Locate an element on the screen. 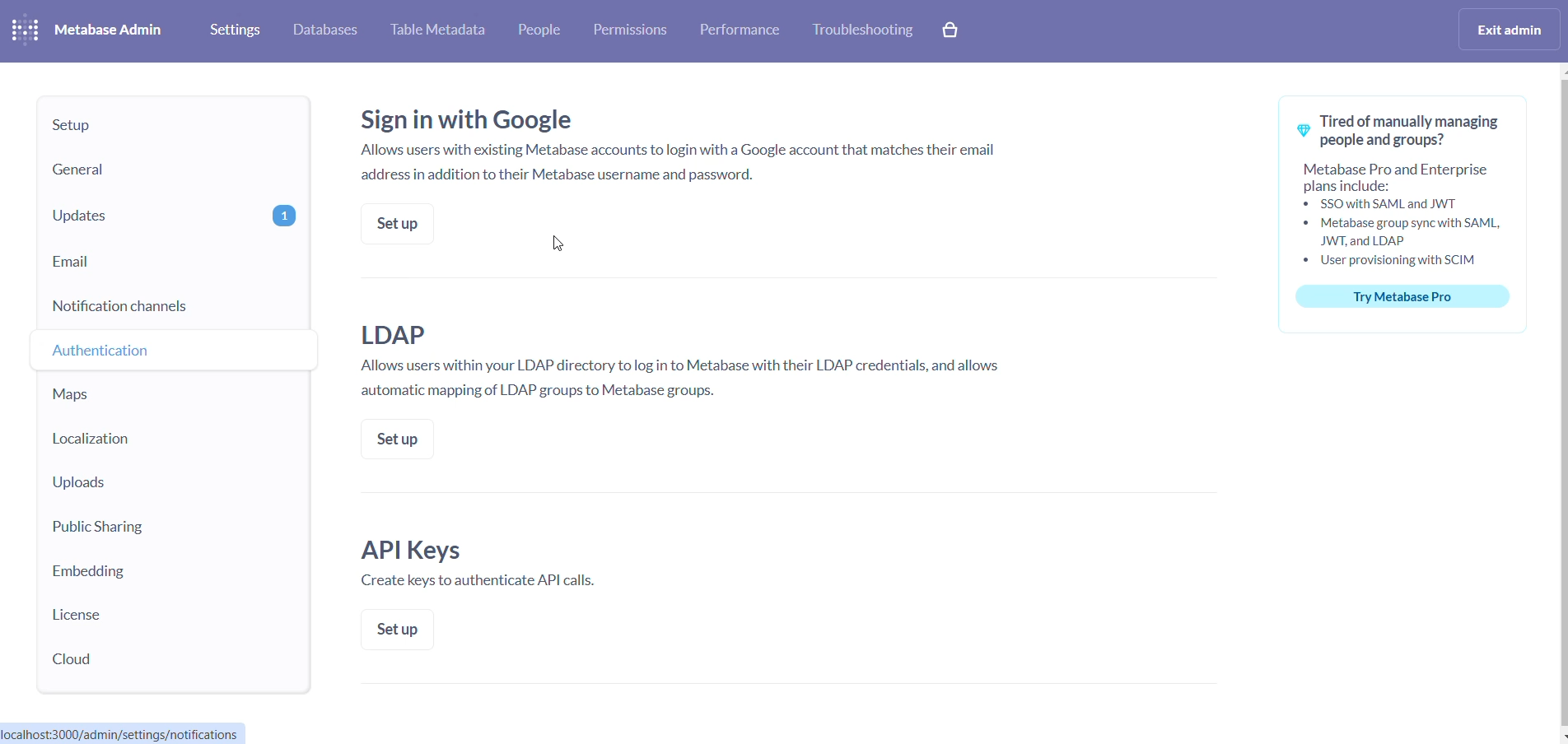  URL is located at coordinates (128, 732).